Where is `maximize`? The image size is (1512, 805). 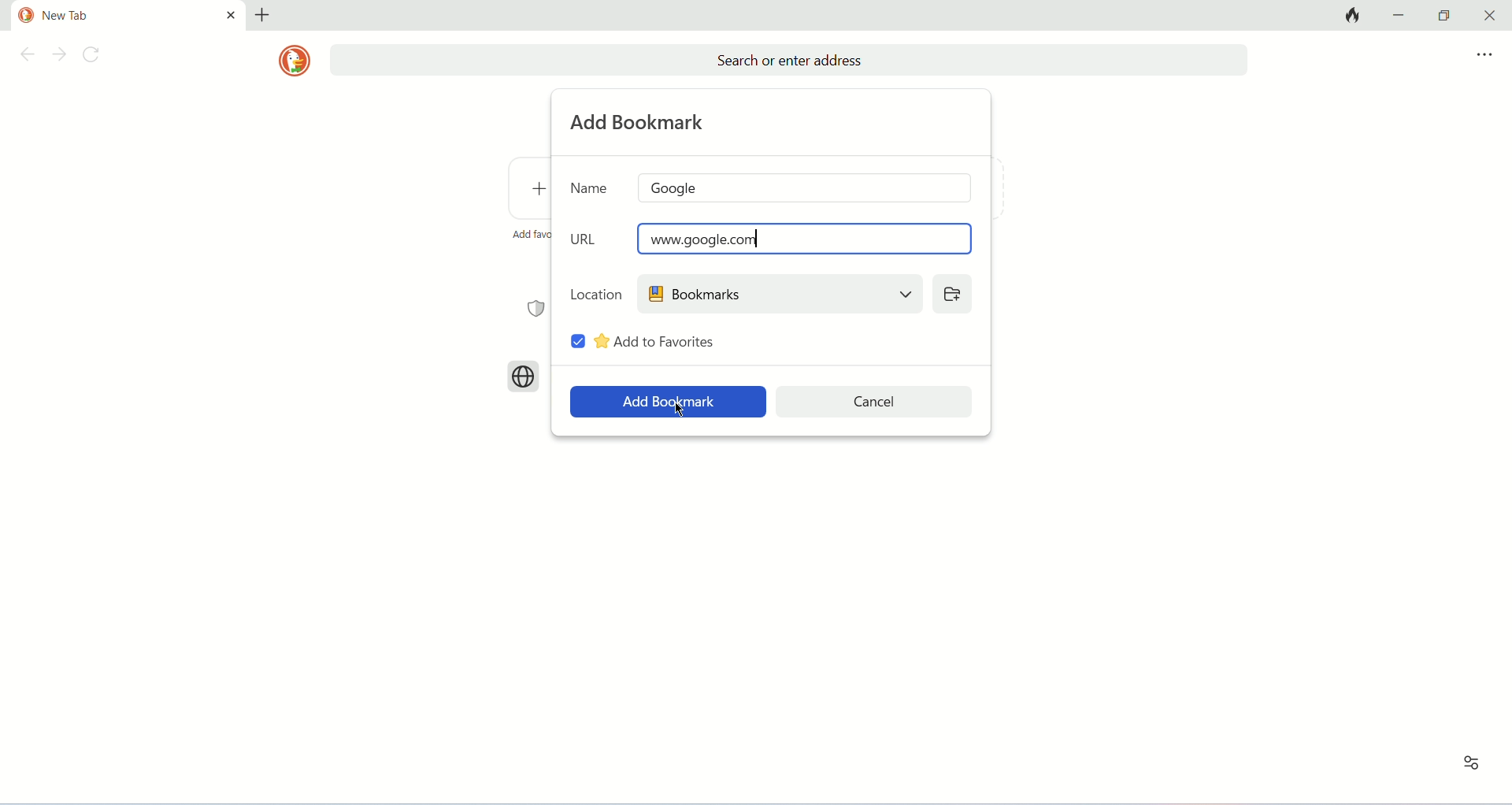
maximize is located at coordinates (1444, 16).